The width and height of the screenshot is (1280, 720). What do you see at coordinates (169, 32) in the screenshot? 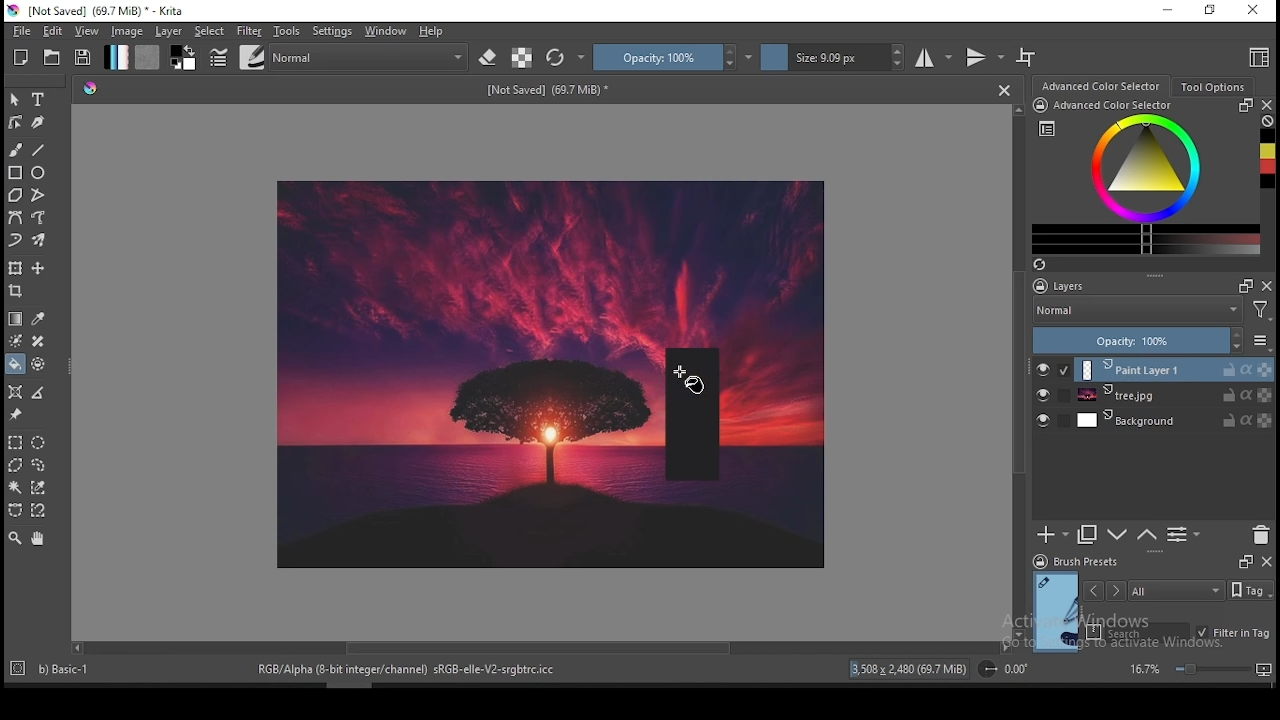
I see `layer` at bounding box center [169, 32].